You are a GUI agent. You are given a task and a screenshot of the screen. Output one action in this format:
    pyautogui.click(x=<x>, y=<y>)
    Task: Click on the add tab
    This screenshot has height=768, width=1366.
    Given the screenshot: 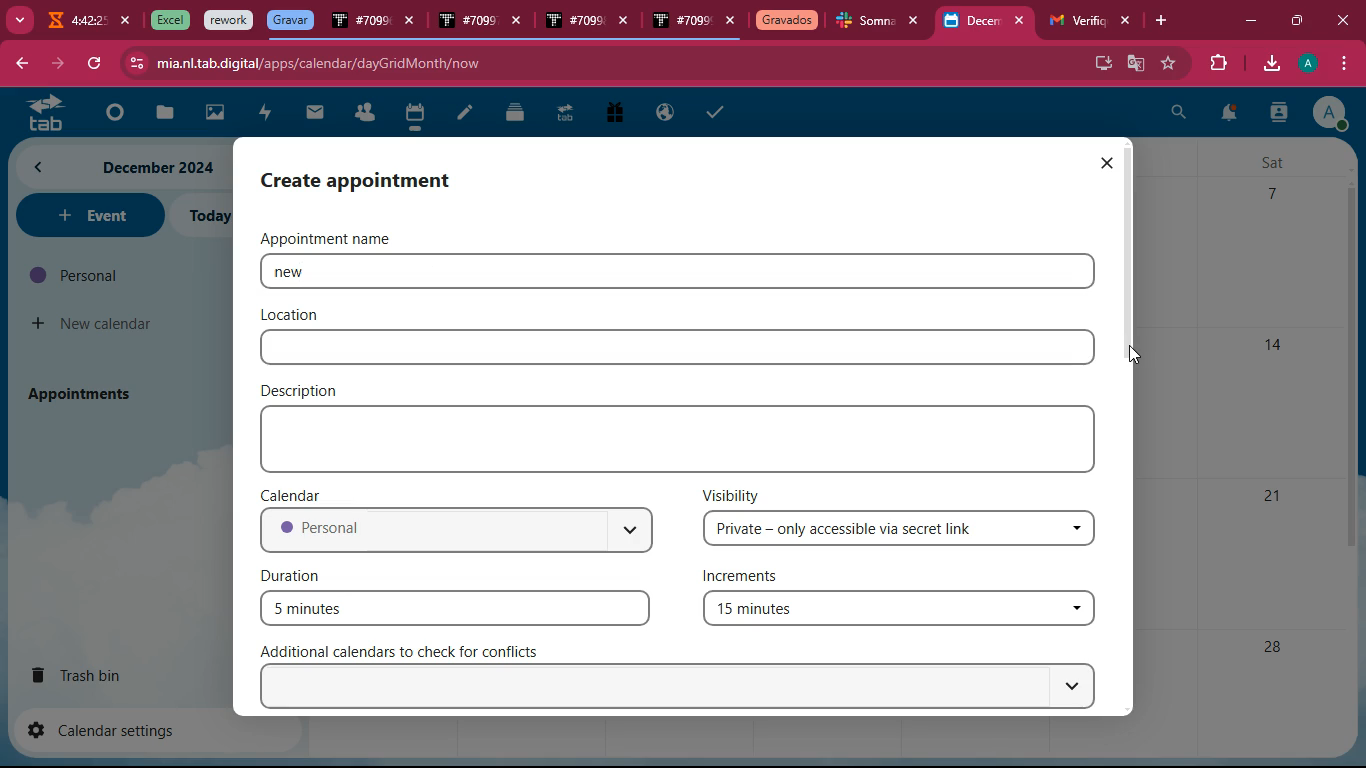 What is the action you would take?
    pyautogui.click(x=1165, y=21)
    